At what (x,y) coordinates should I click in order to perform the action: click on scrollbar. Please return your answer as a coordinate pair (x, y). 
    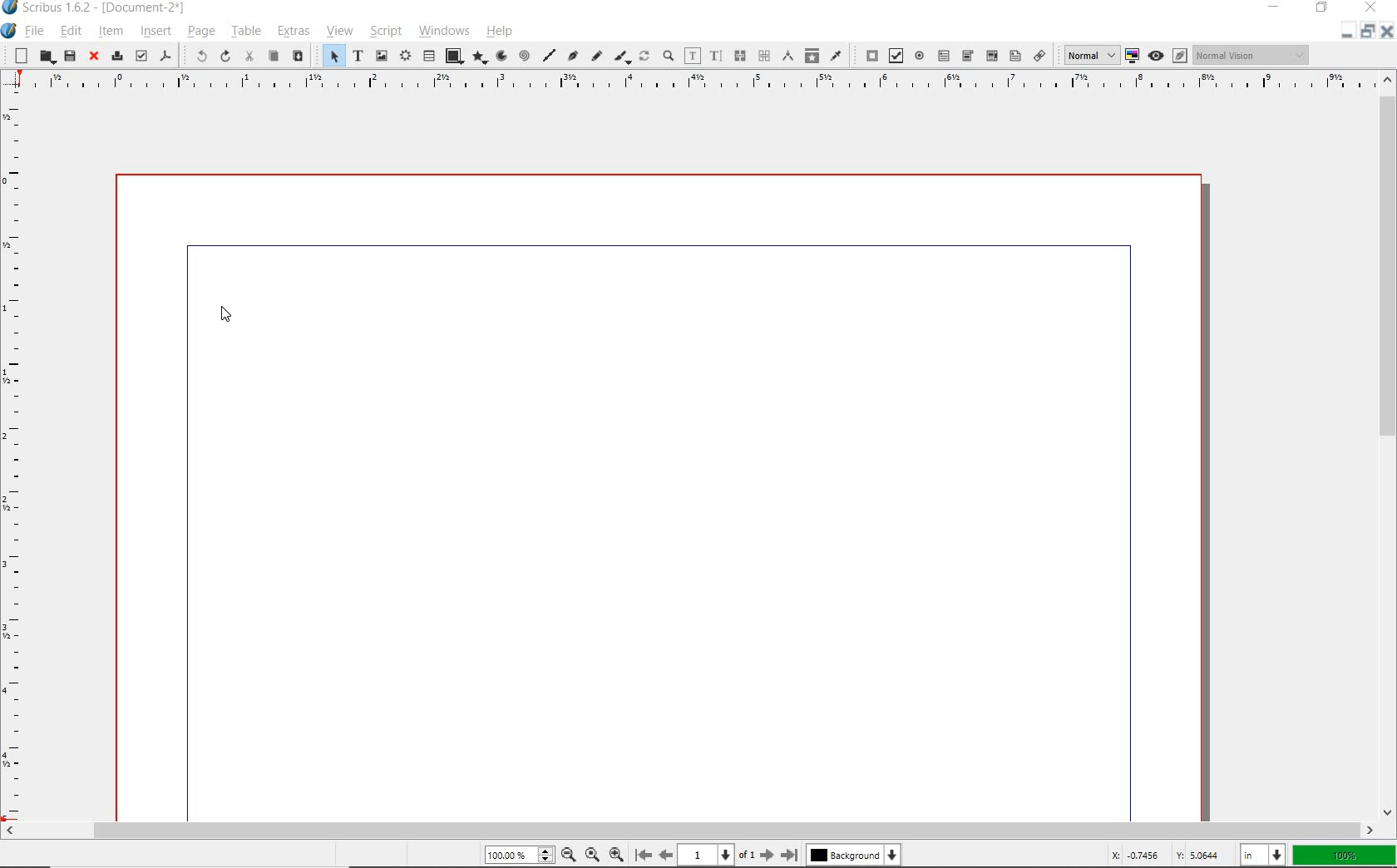
    Looking at the image, I should click on (1389, 445).